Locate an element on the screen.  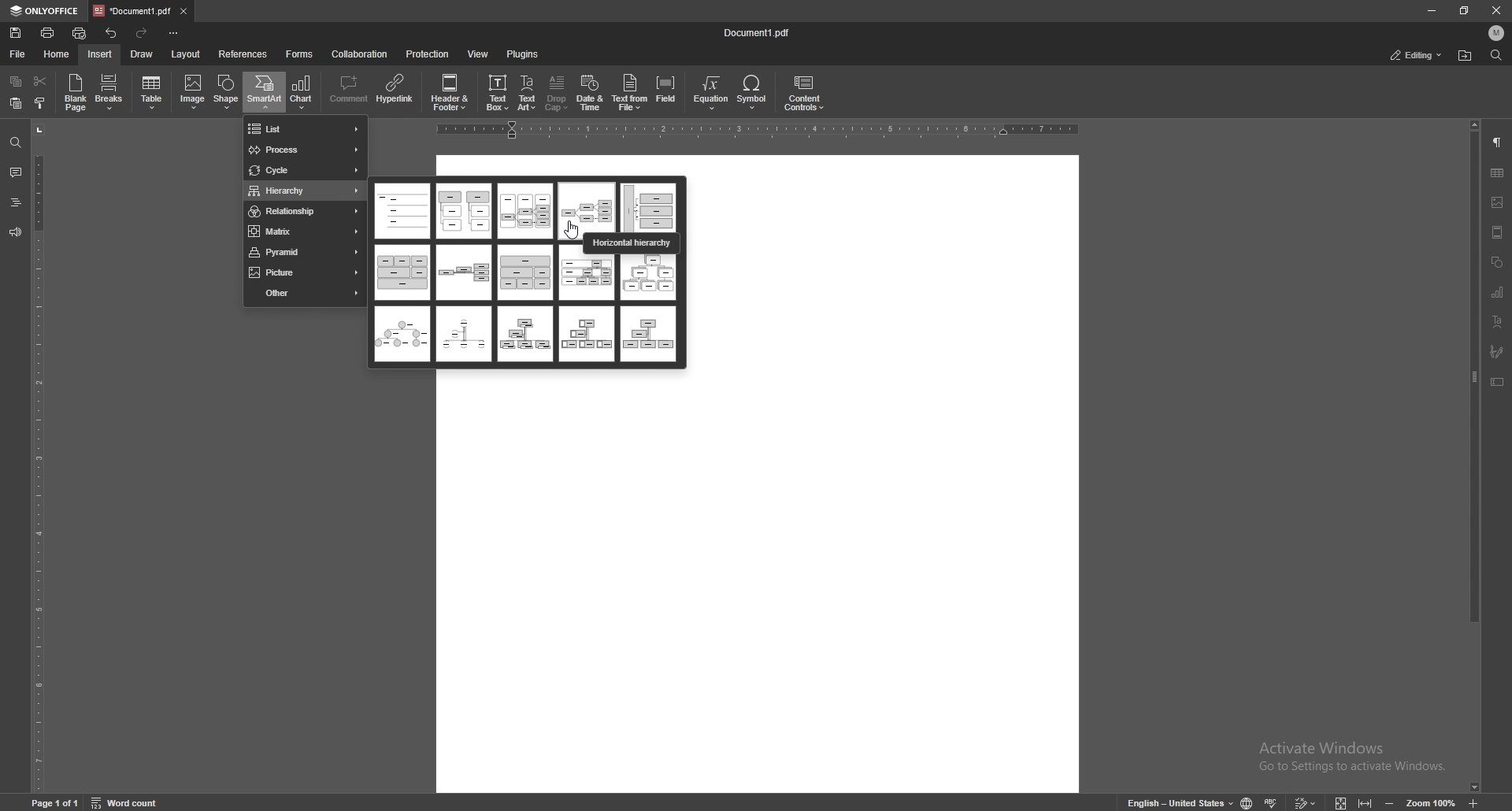
save is located at coordinates (16, 33).